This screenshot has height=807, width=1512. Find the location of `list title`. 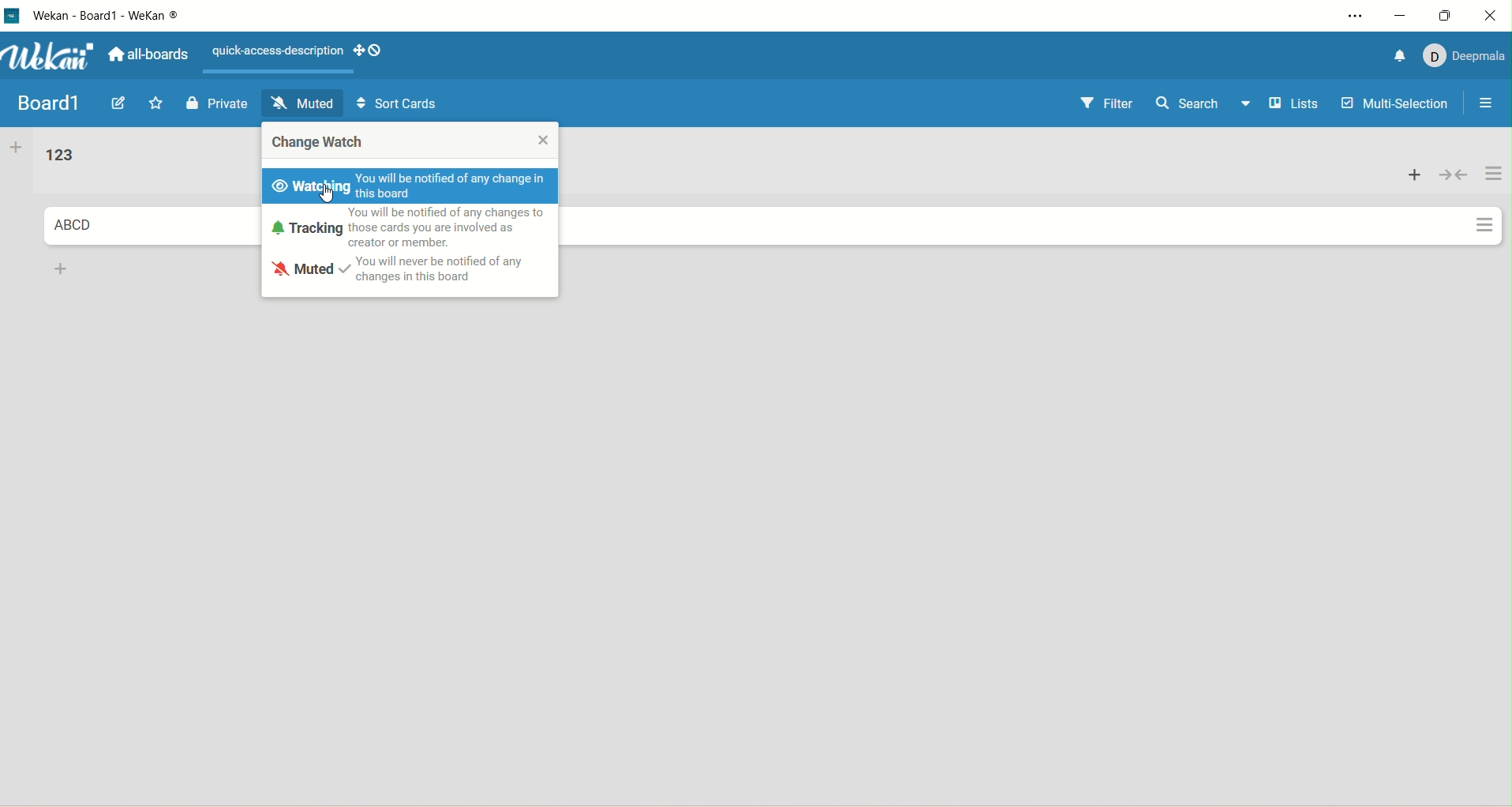

list title is located at coordinates (58, 156).